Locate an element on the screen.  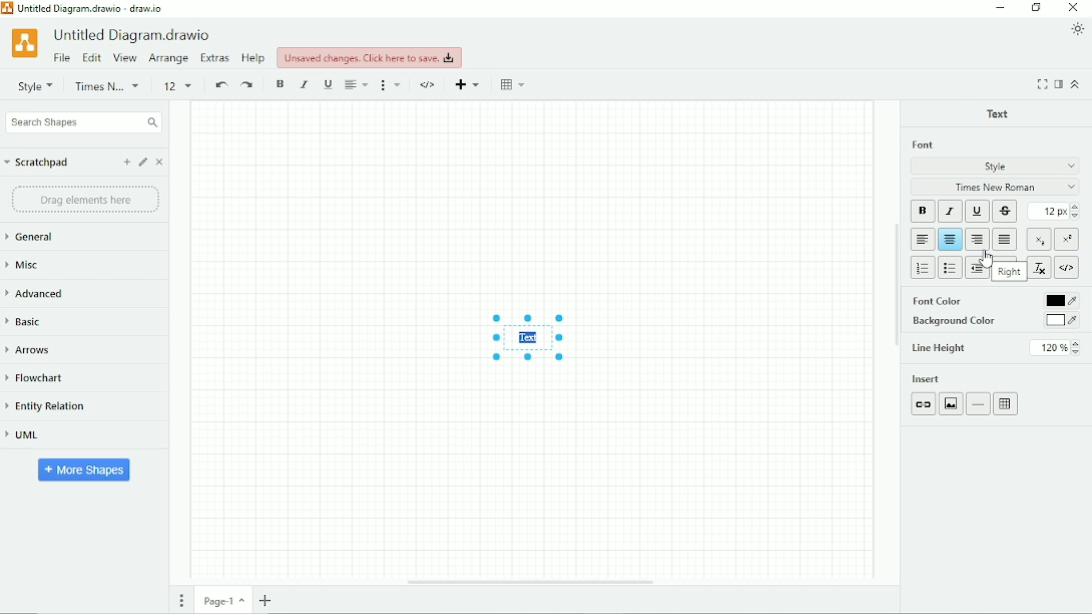
Style is located at coordinates (995, 165).